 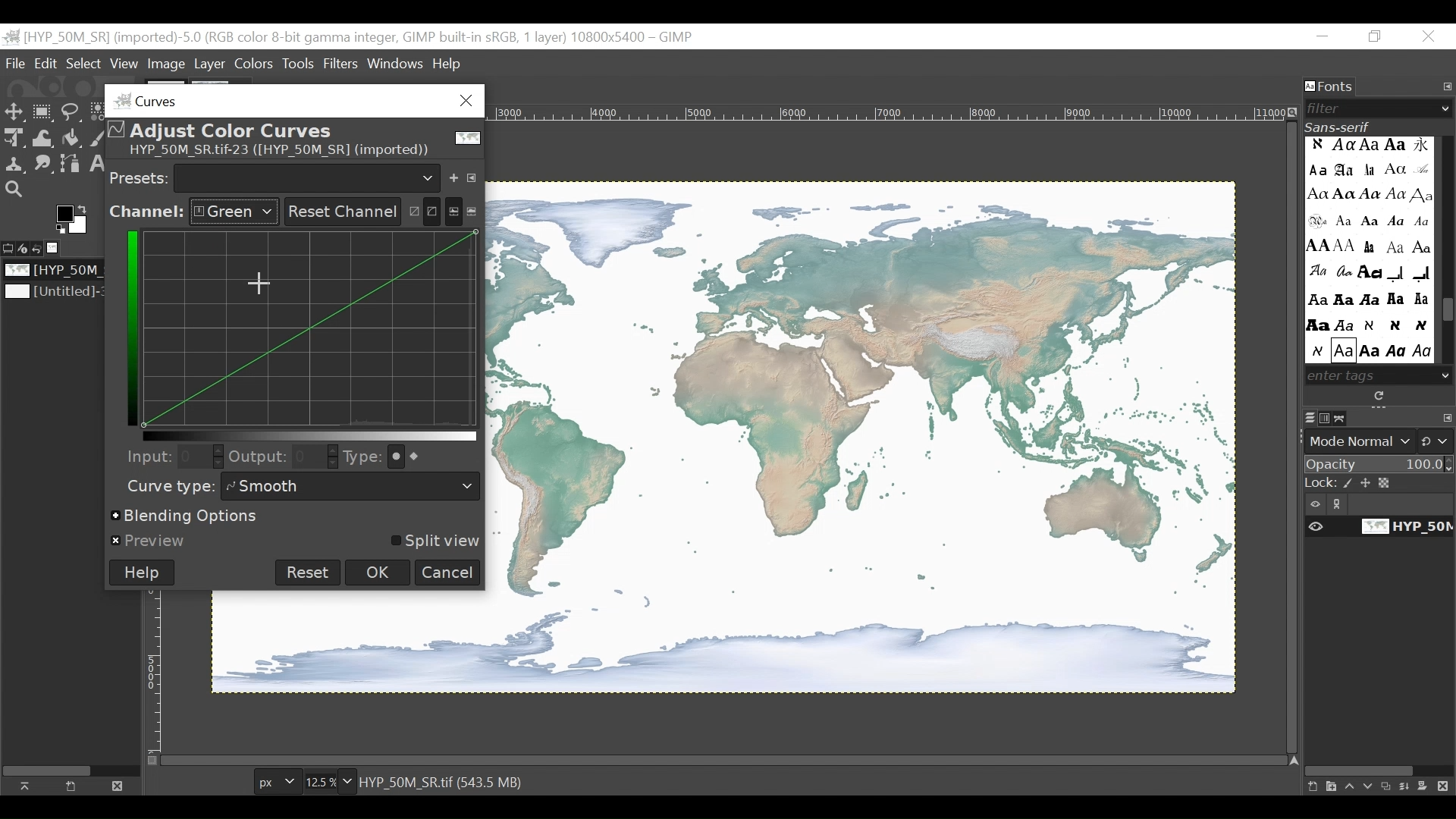 I want to click on Reset Channel, so click(x=340, y=212).